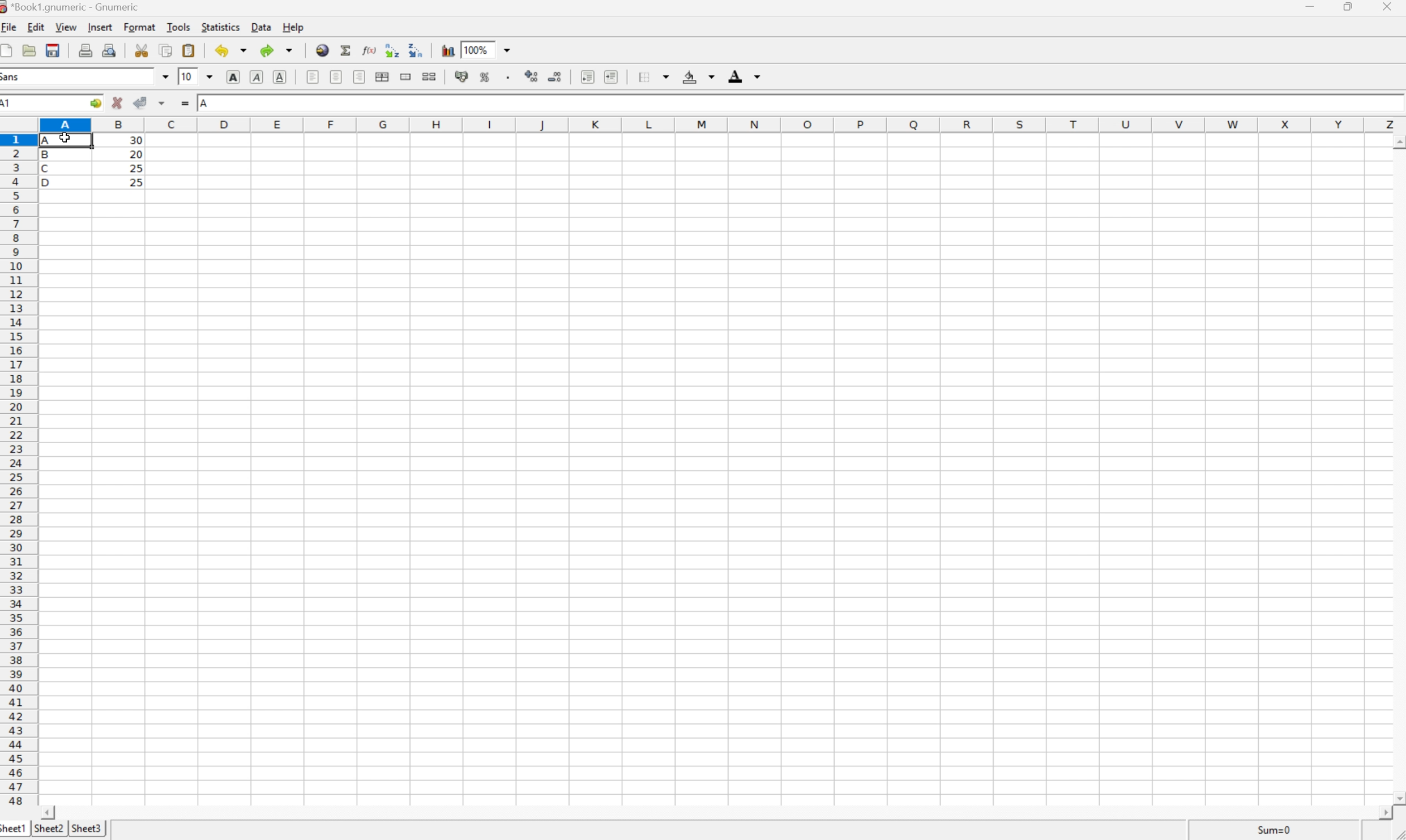 This screenshot has height=840, width=1406. I want to click on Statistics, so click(221, 27).